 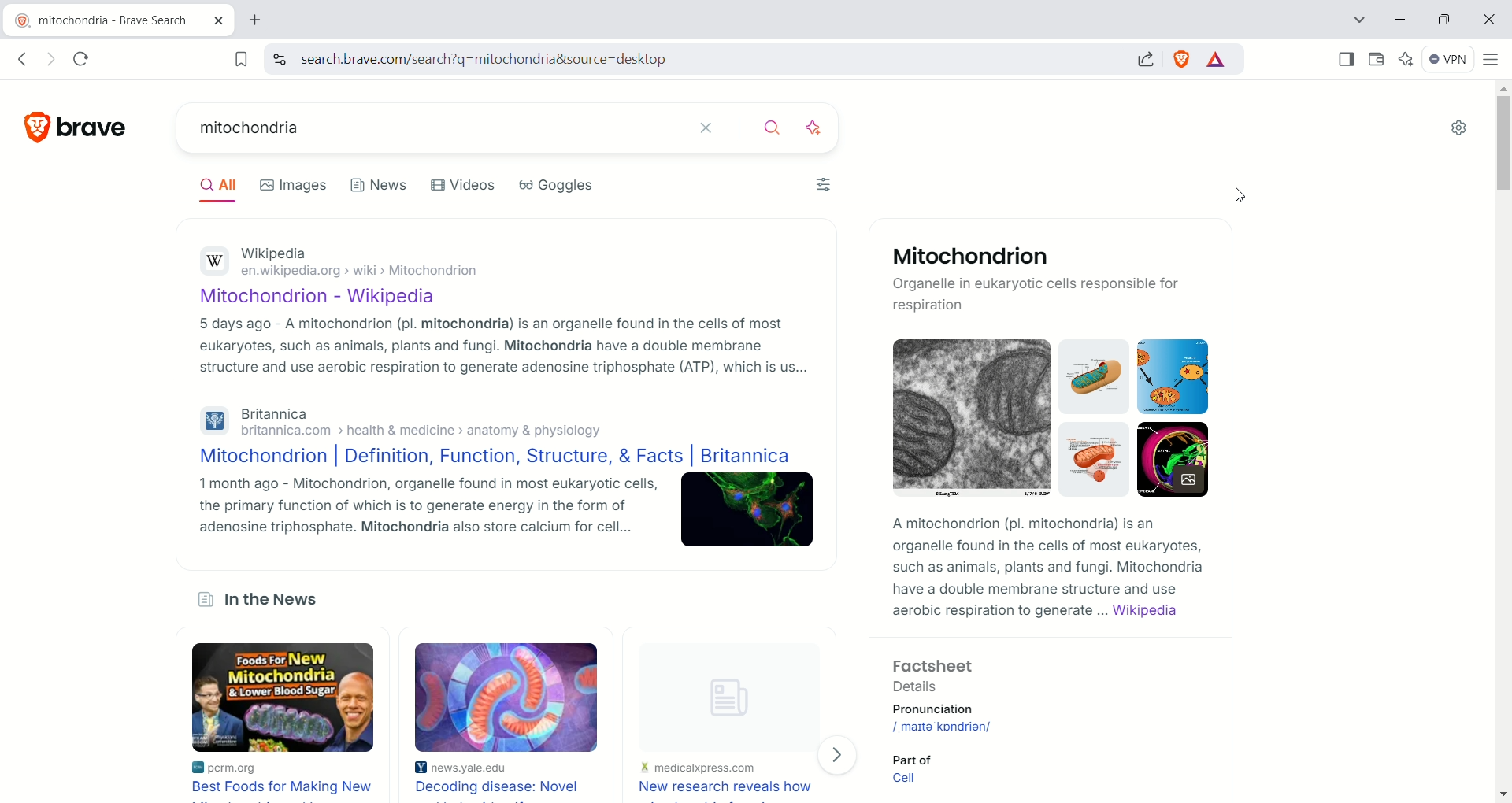 I want to click on share this page, so click(x=1146, y=59).